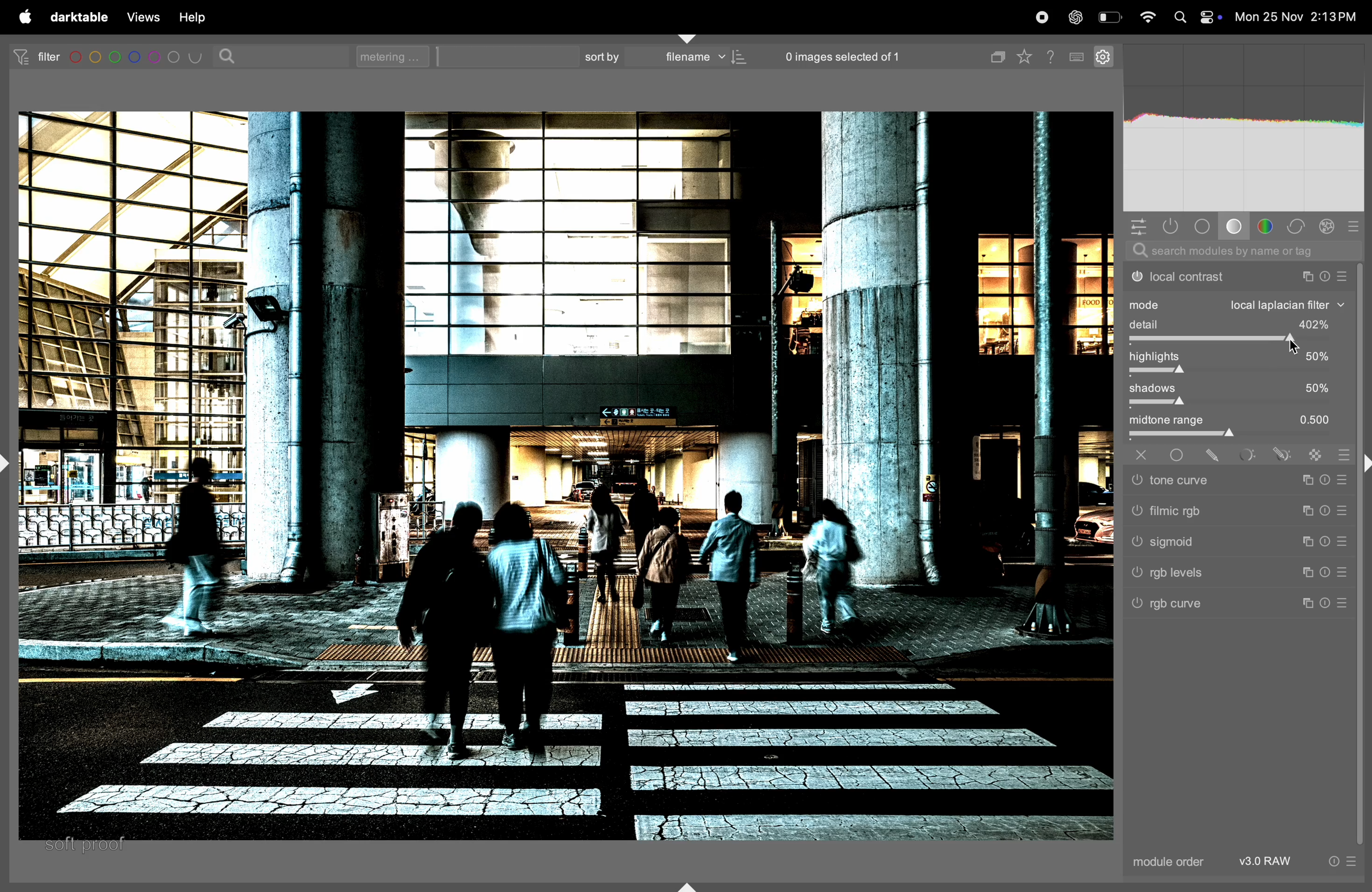  What do you see at coordinates (1204, 225) in the screenshot?
I see `tone` at bounding box center [1204, 225].